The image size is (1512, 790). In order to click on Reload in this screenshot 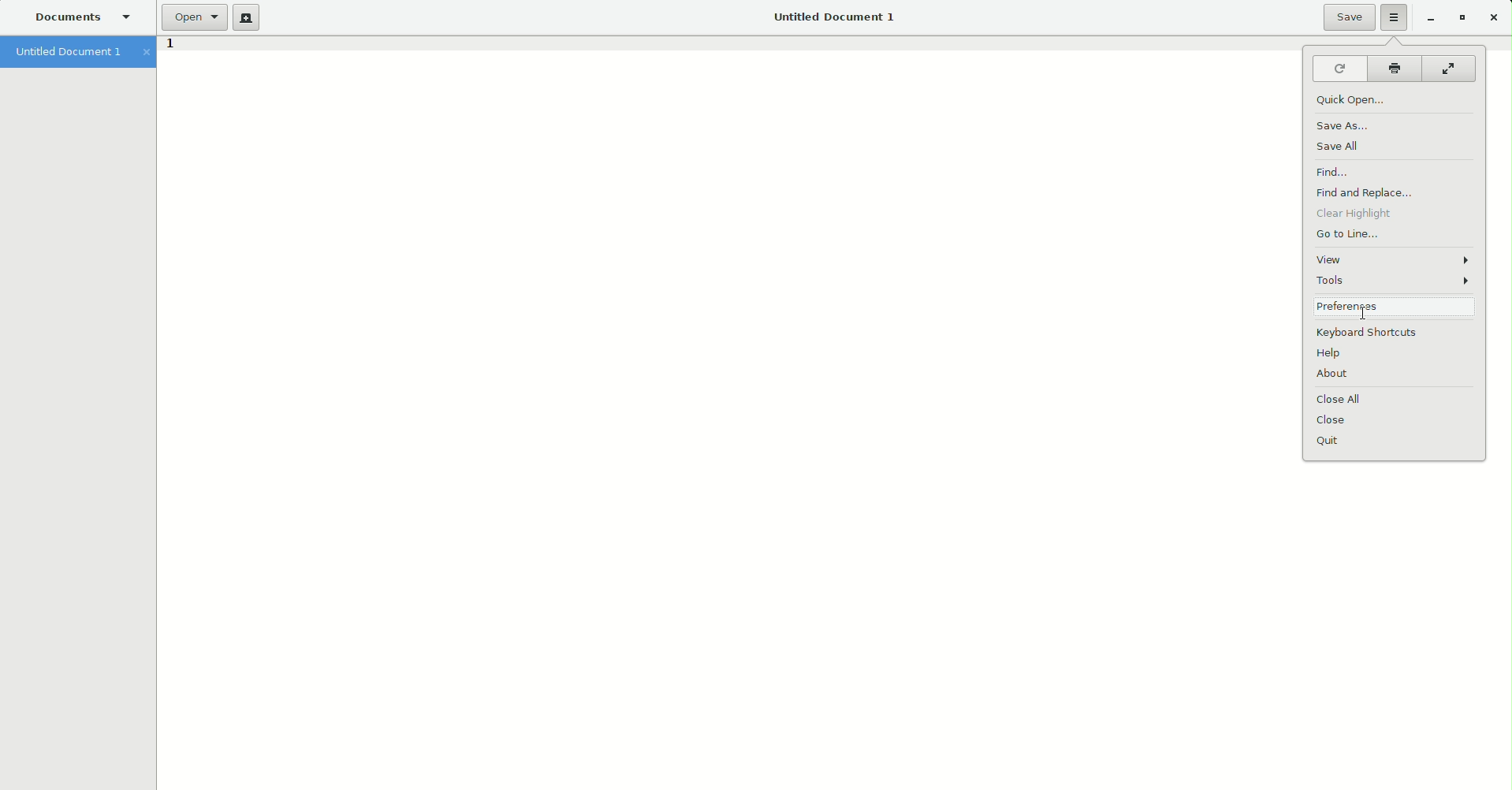, I will do `click(1335, 68)`.